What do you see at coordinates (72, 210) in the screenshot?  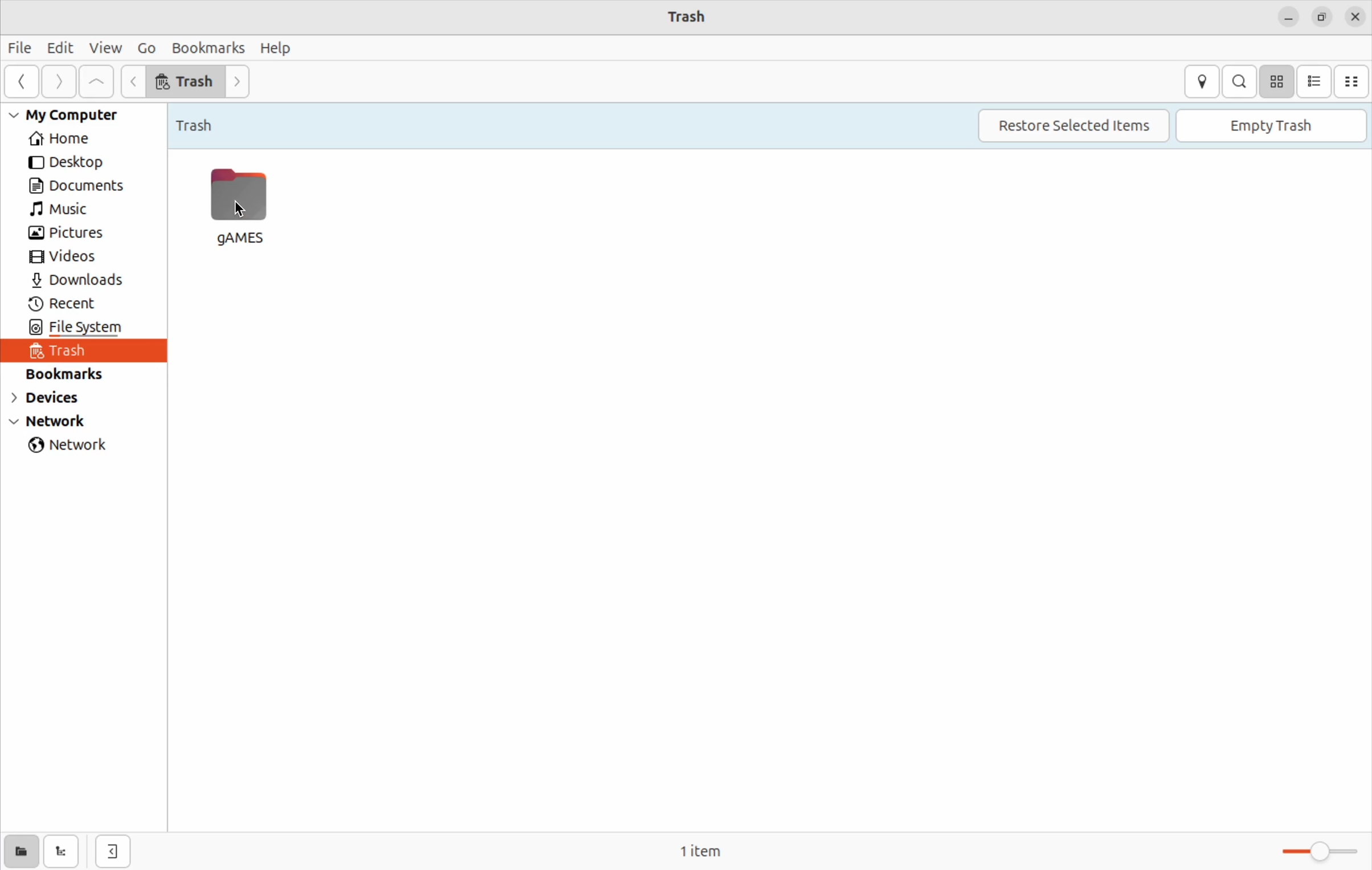 I see `music` at bounding box center [72, 210].